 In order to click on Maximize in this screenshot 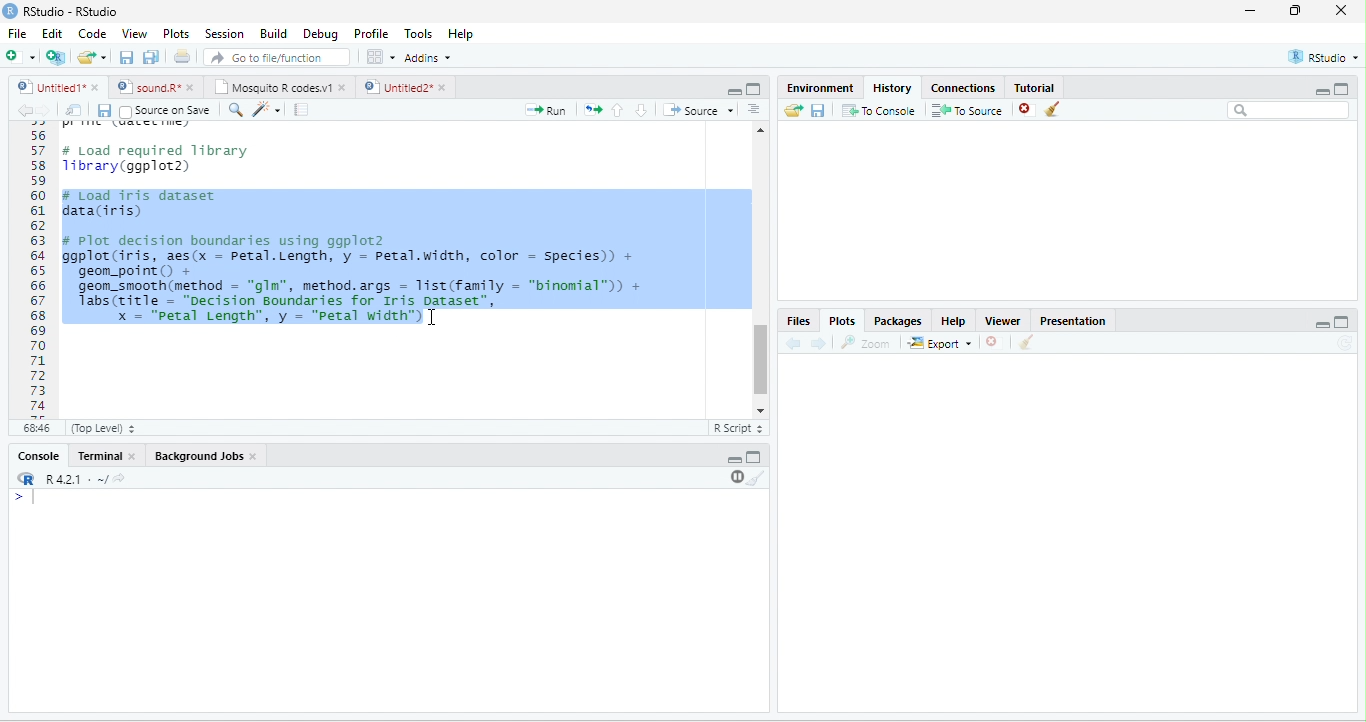, I will do `click(754, 457)`.